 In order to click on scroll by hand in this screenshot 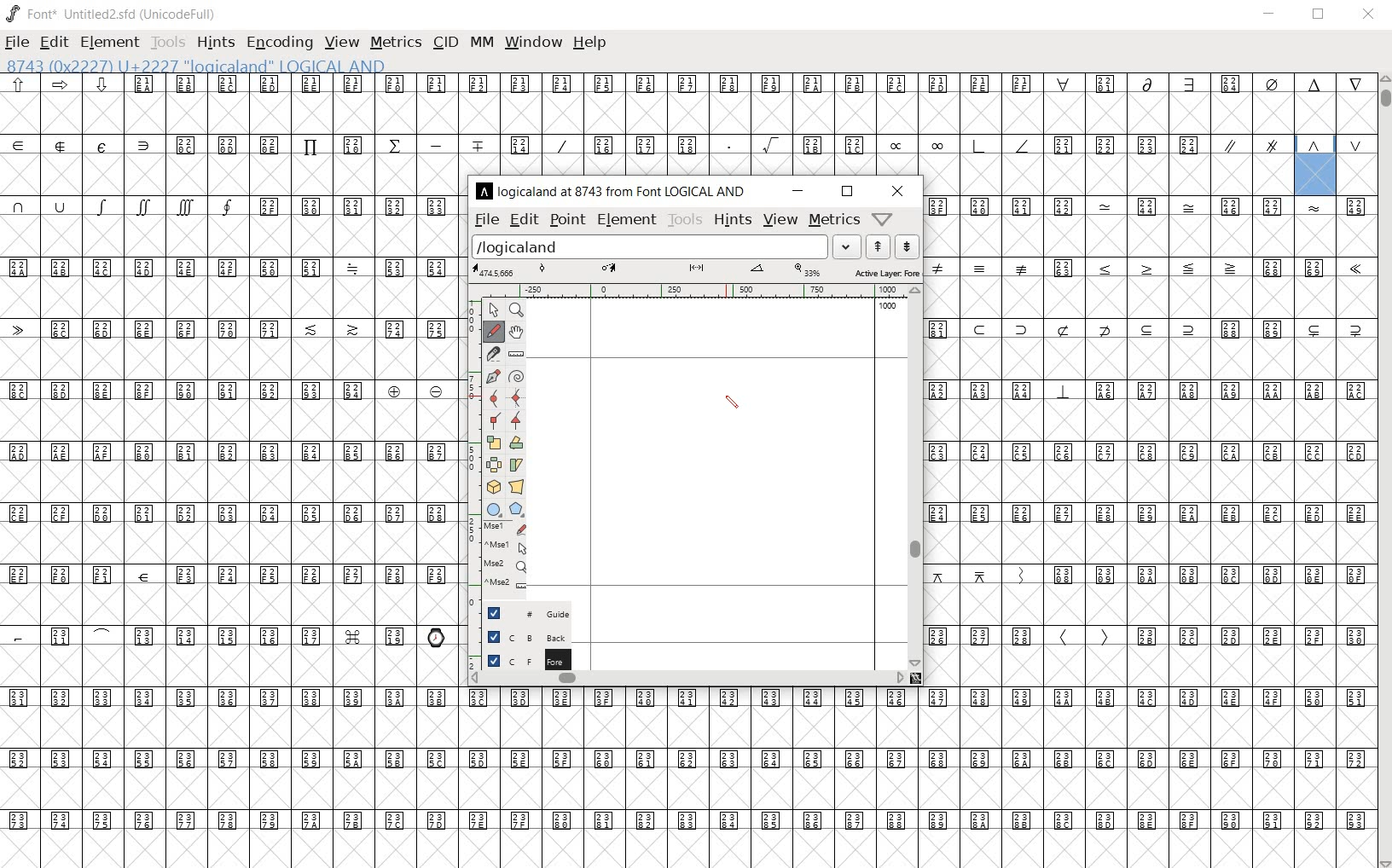, I will do `click(518, 331)`.